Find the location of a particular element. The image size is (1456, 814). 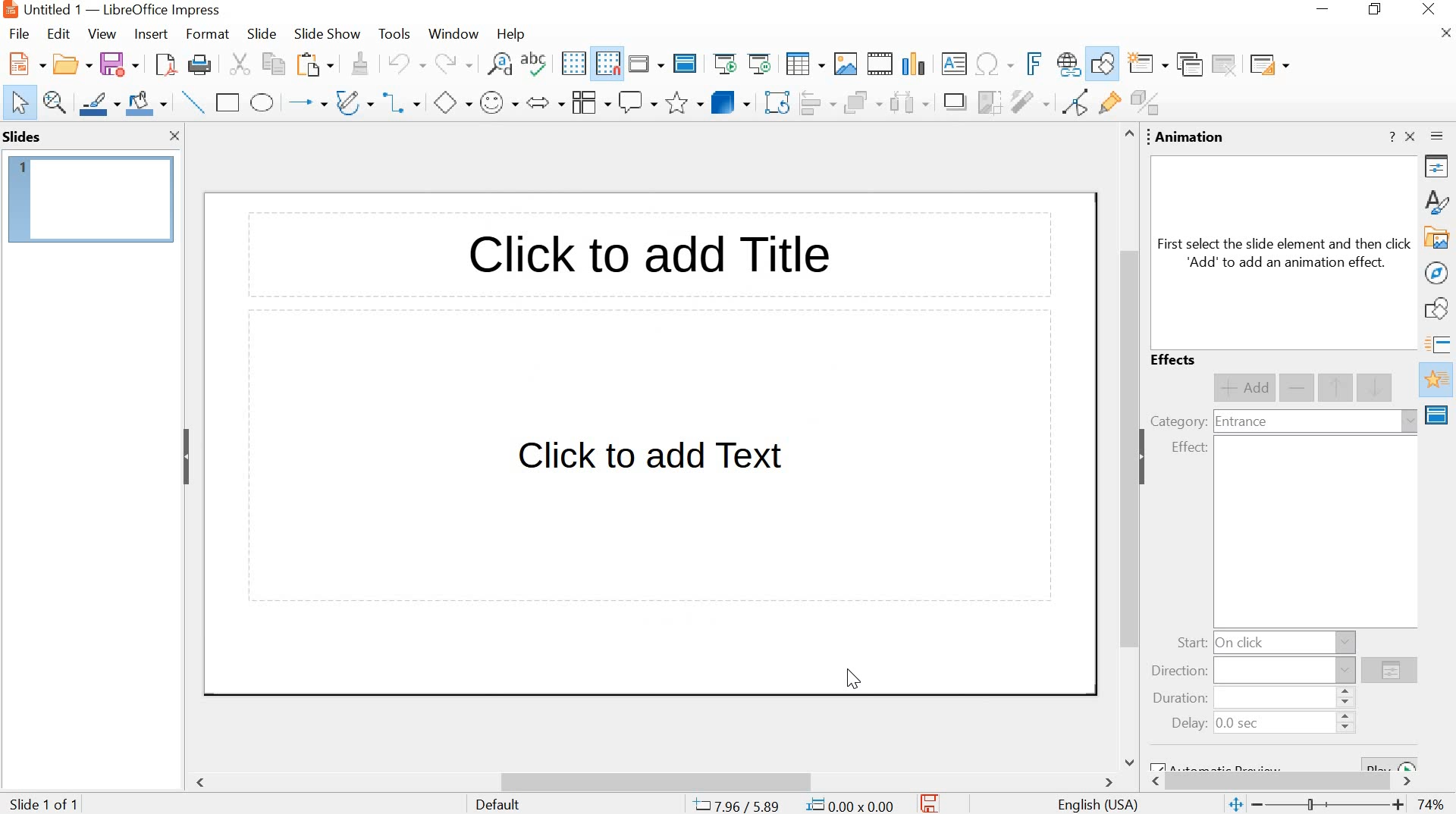

crop image is located at coordinates (989, 102).